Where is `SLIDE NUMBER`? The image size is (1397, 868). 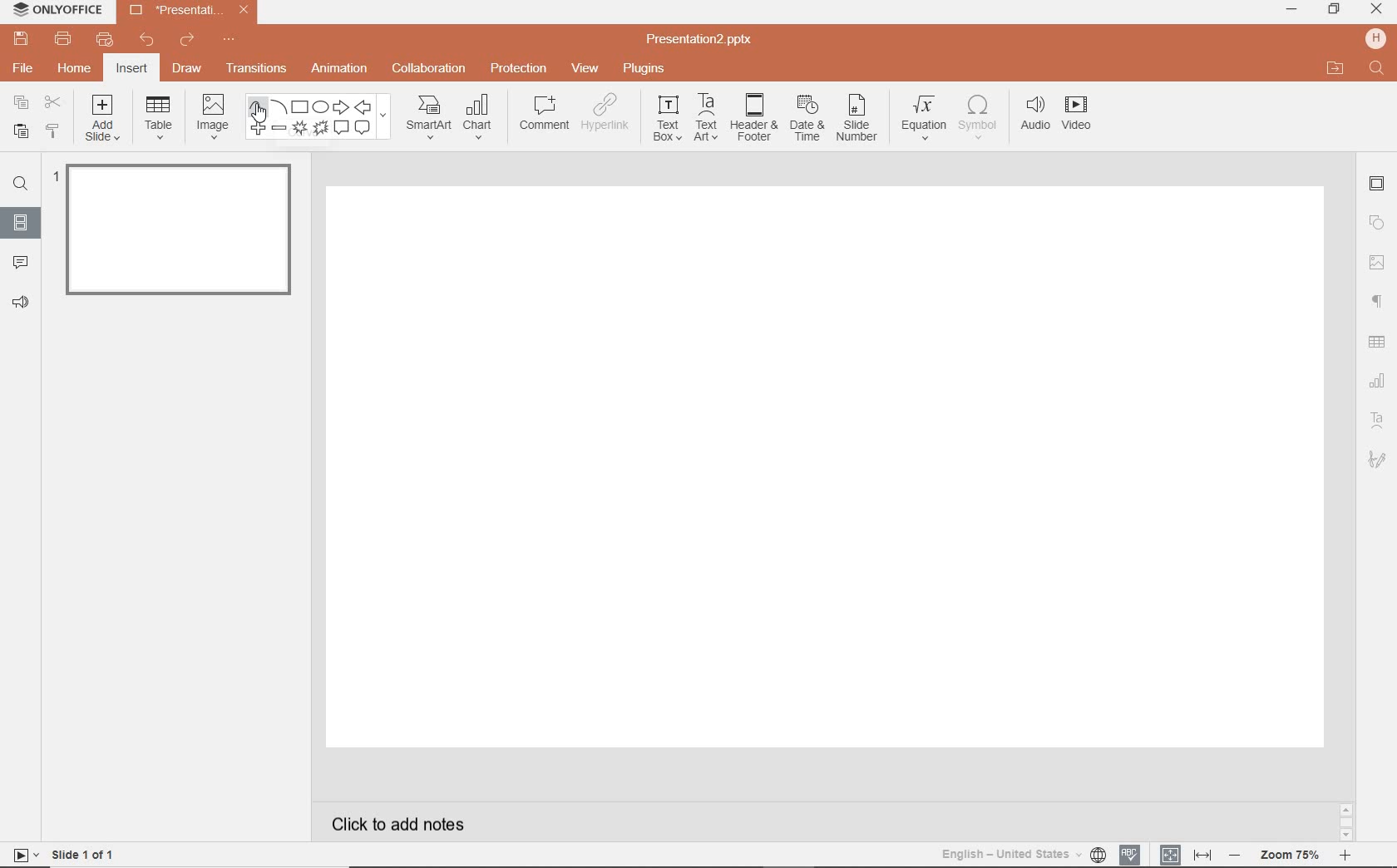
SLIDE NUMBER is located at coordinates (857, 122).